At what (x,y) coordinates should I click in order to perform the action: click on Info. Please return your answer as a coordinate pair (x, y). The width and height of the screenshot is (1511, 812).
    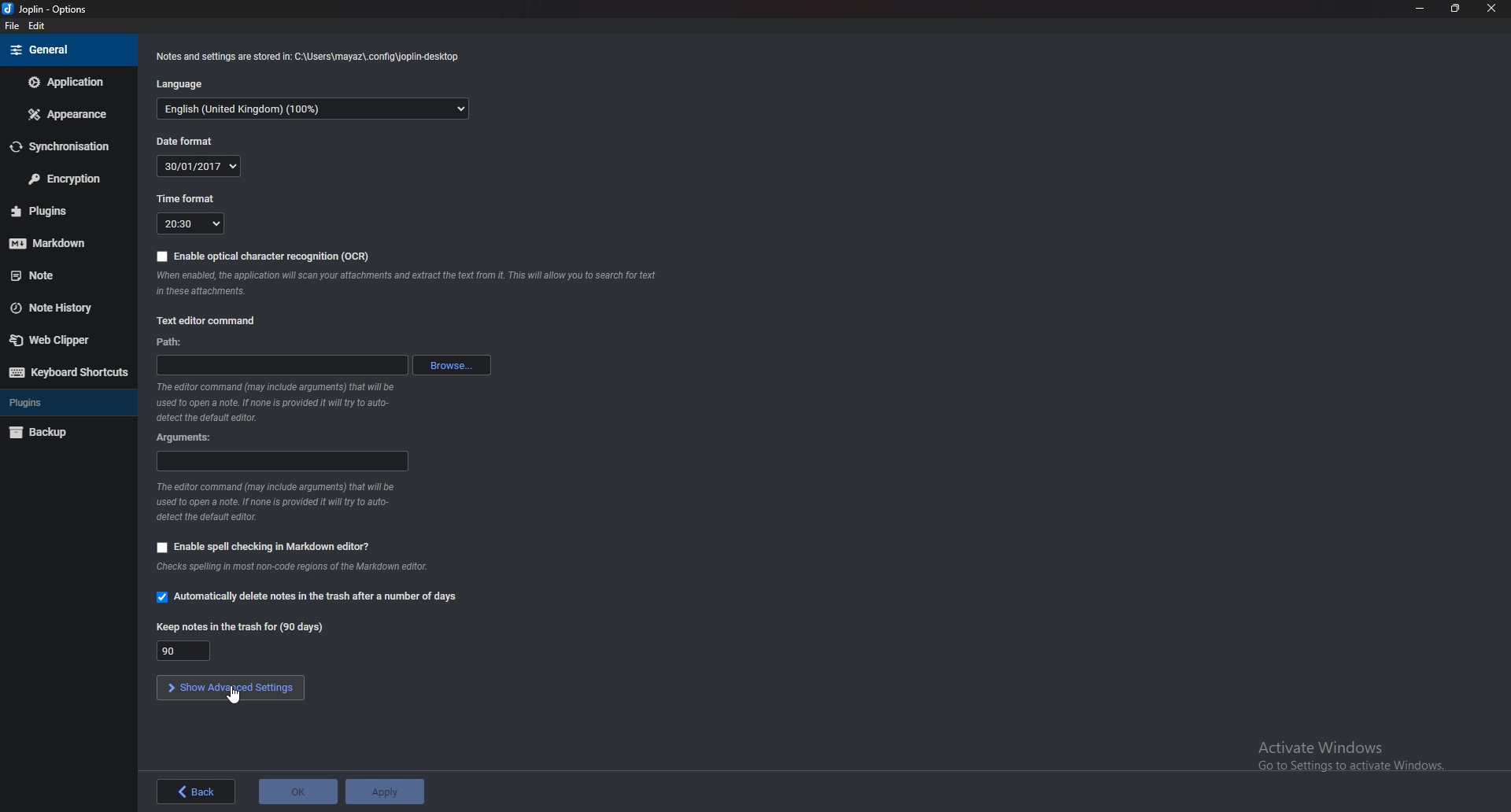
    Looking at the image, I should click on (412, 284).